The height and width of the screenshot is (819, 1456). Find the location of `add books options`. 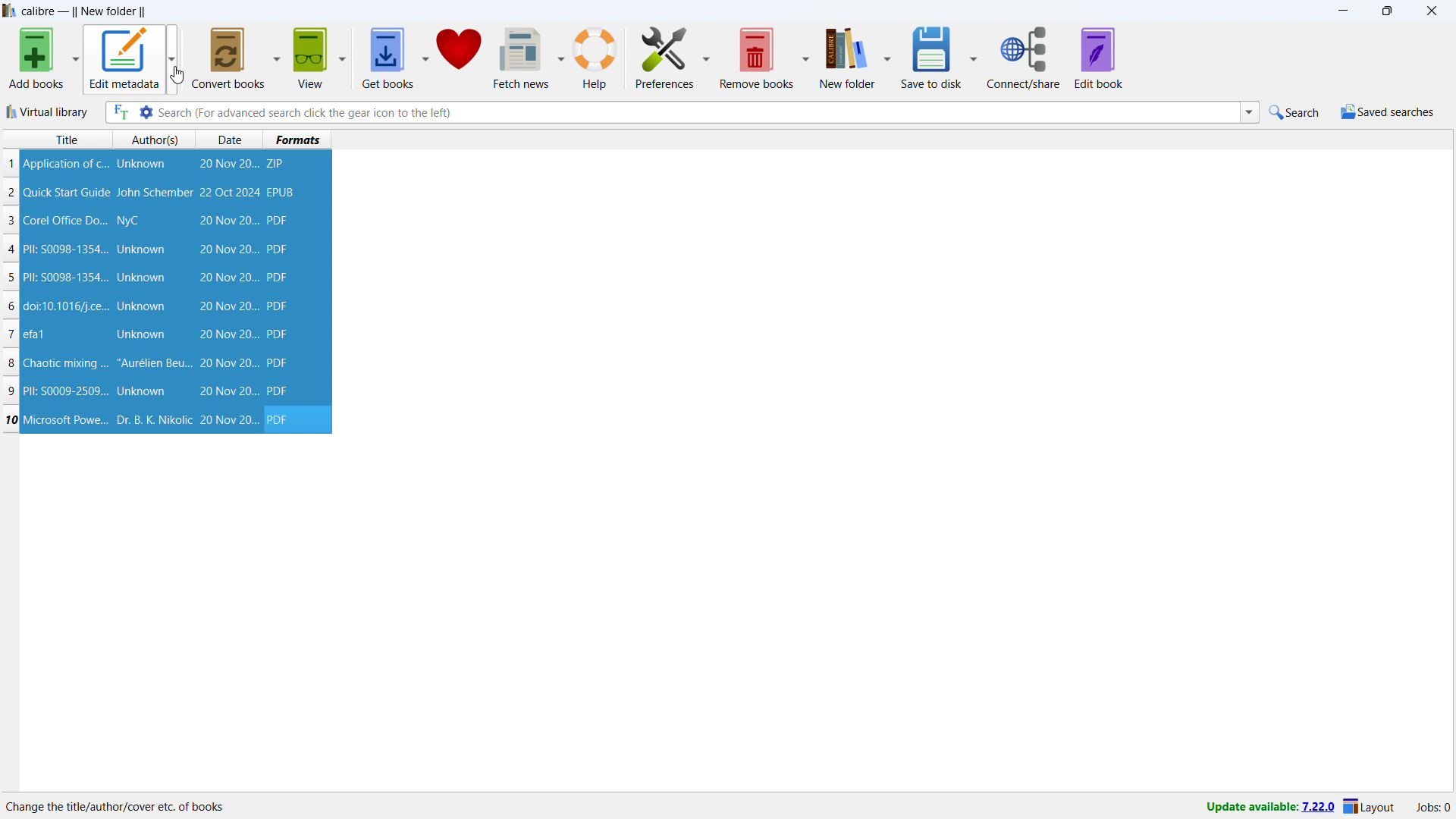

add books options is located at coordinates (77, 57).